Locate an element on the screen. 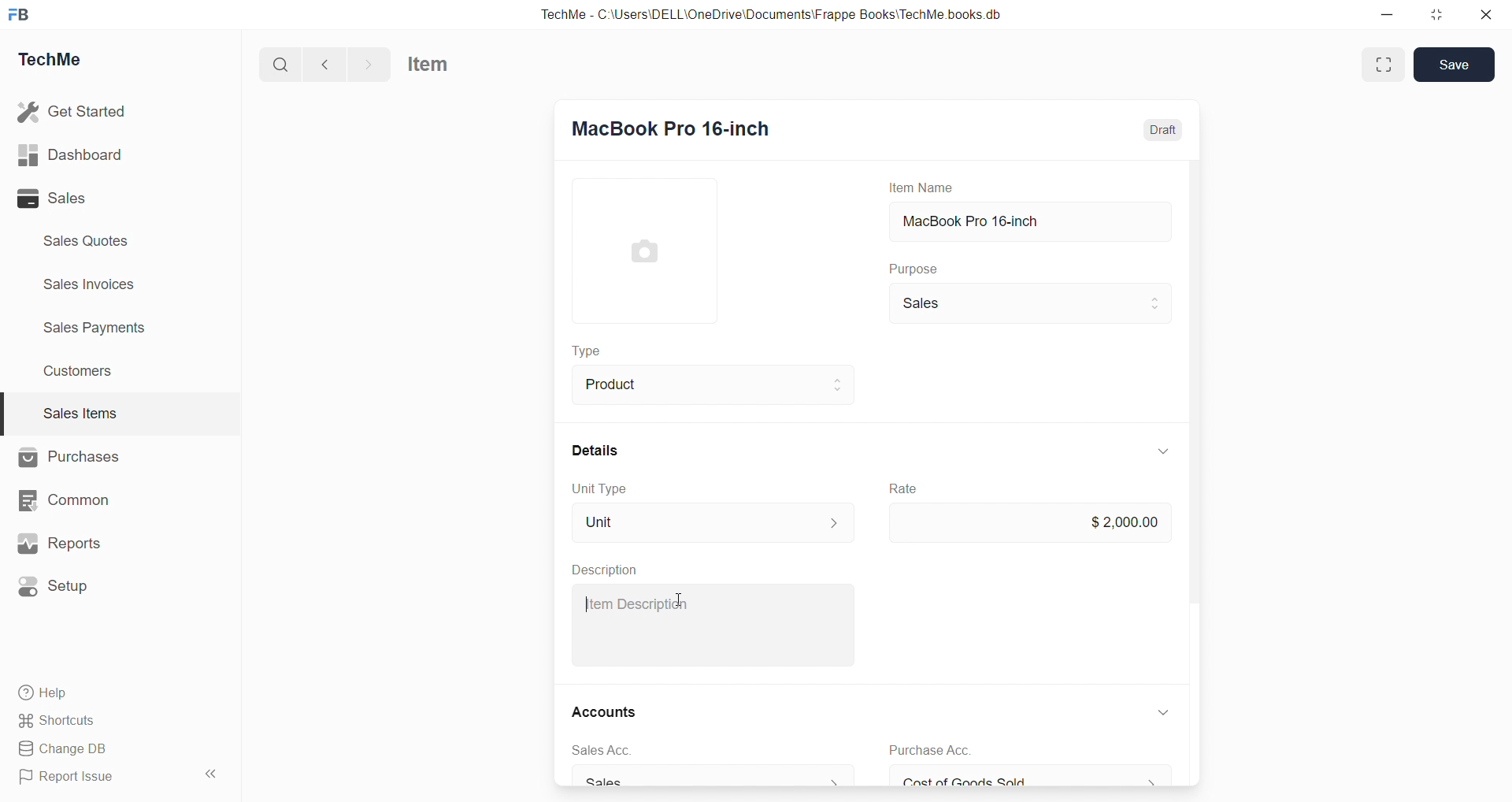 The image size is (1512, 802). FB is located at coordinates (22, 14).